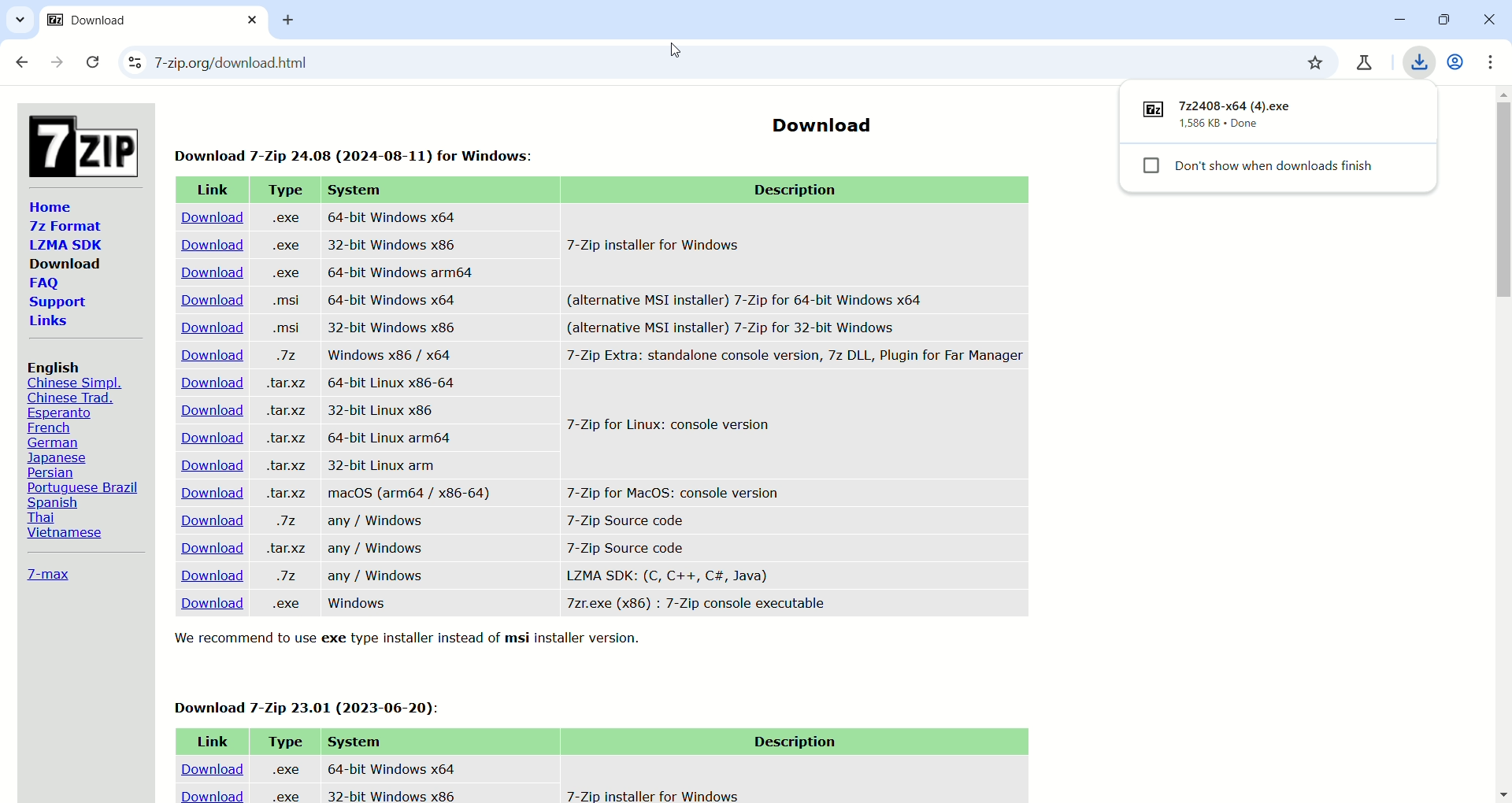  I want to click on Download, so click(208, 548).